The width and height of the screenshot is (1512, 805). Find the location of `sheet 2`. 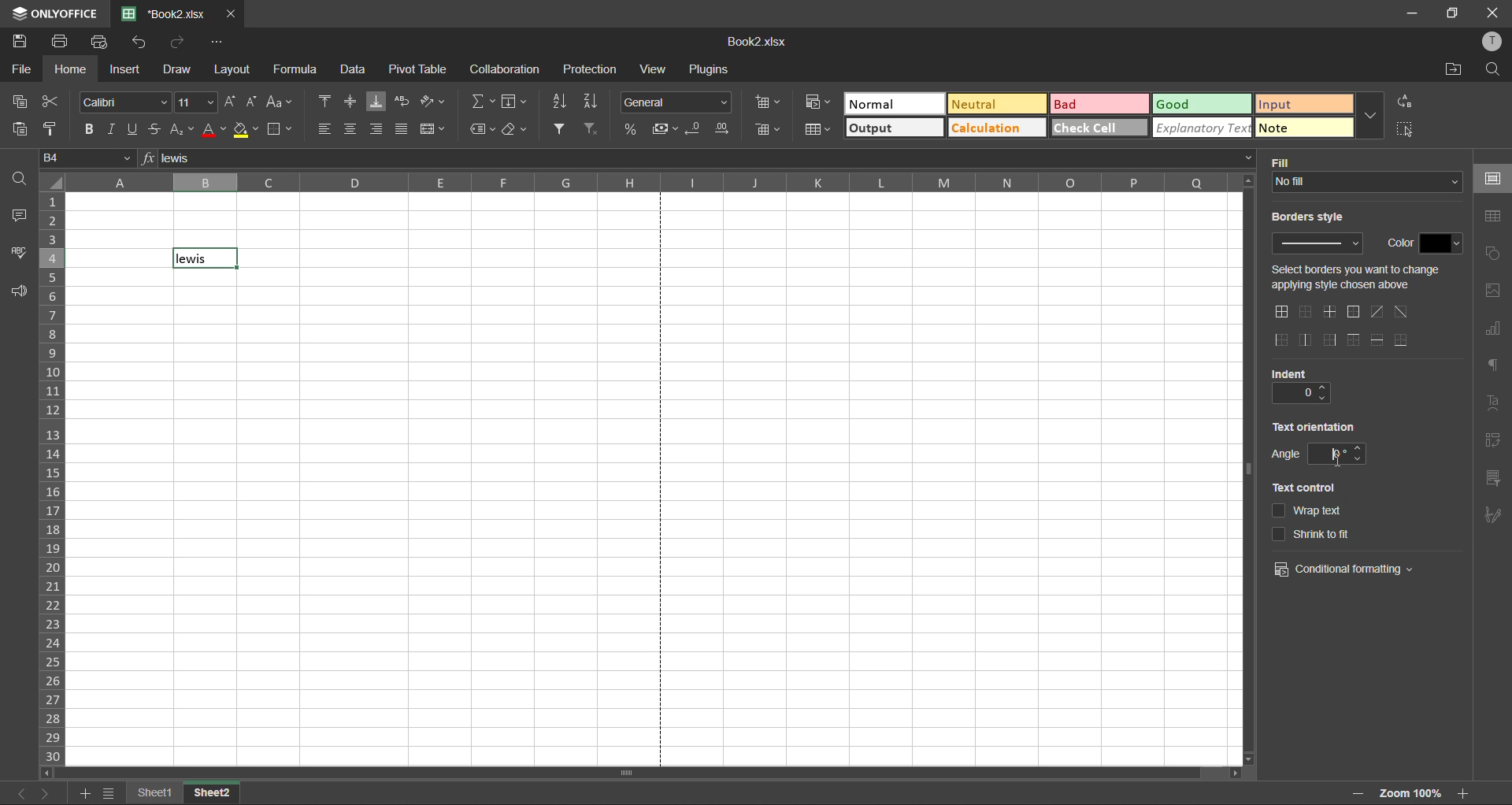

sheet 2 is located at coordinates (211, 792).